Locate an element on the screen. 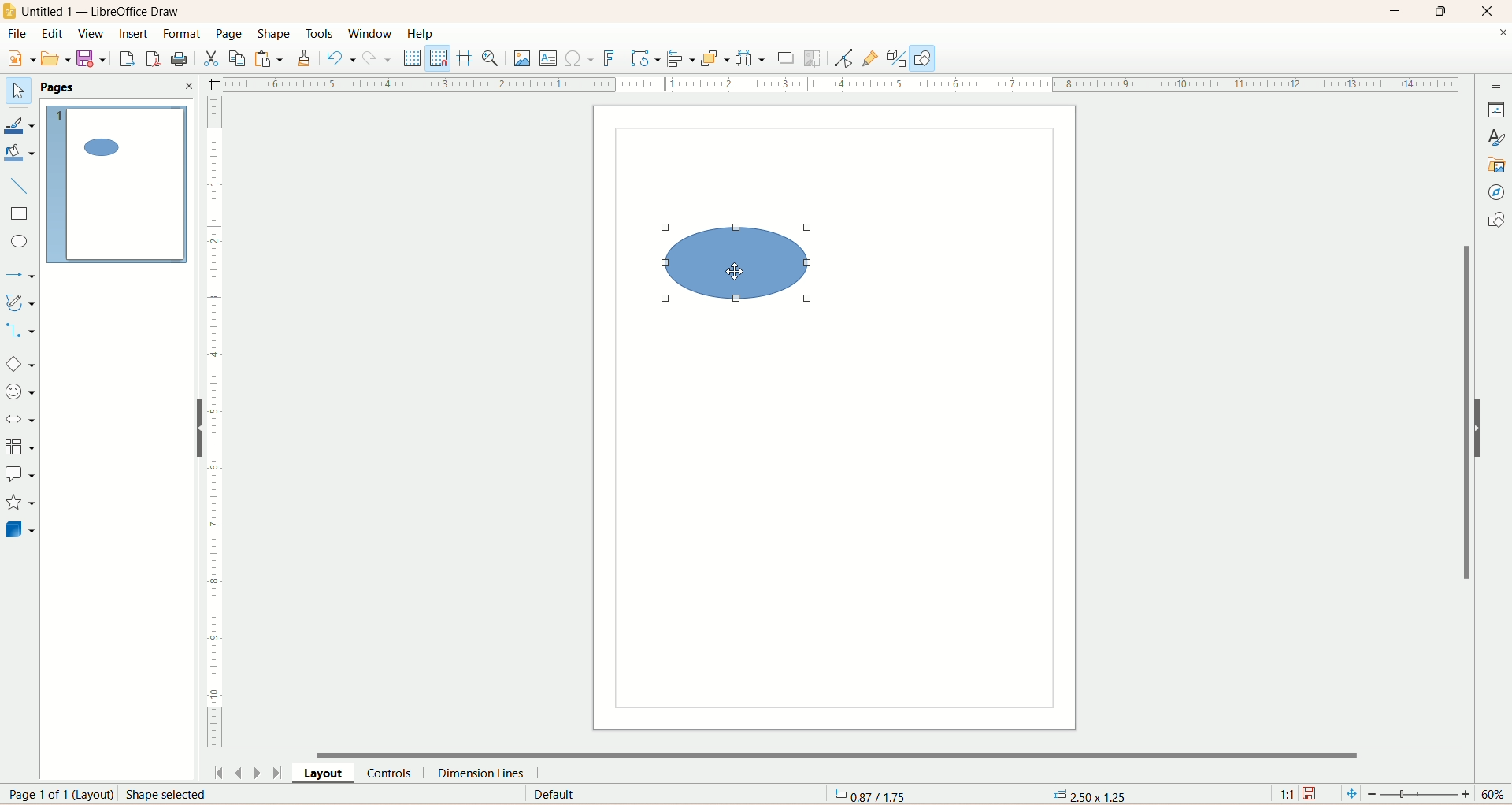 The width and height of the screenshot is (1512, 805). dimension lines is located at coordinates (493, 772).